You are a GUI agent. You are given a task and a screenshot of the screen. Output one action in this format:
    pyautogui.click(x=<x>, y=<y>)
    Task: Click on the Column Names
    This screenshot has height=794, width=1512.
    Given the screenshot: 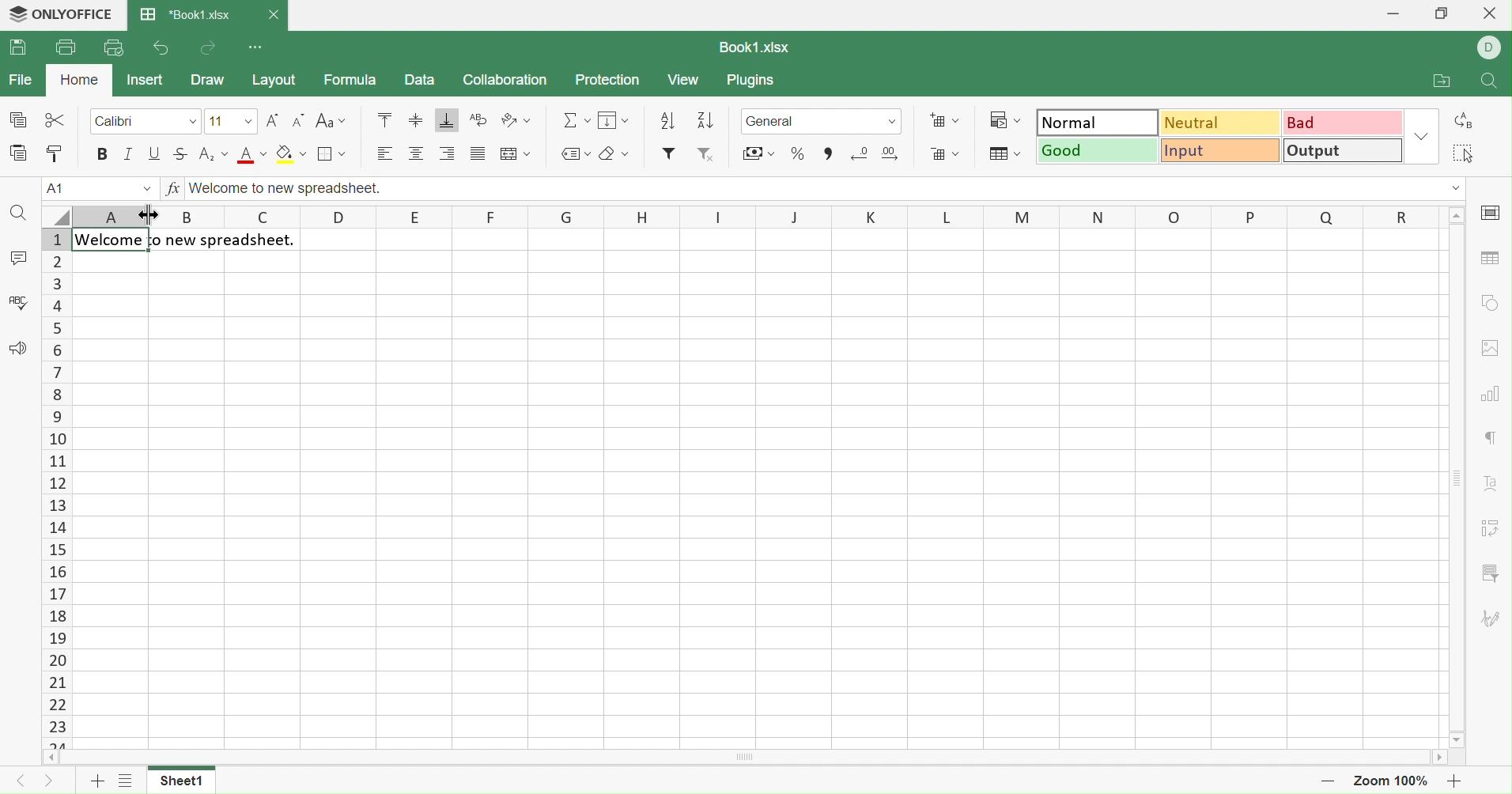 What is the action you would take?
    pyautogui.click(x=732, y=216)
    